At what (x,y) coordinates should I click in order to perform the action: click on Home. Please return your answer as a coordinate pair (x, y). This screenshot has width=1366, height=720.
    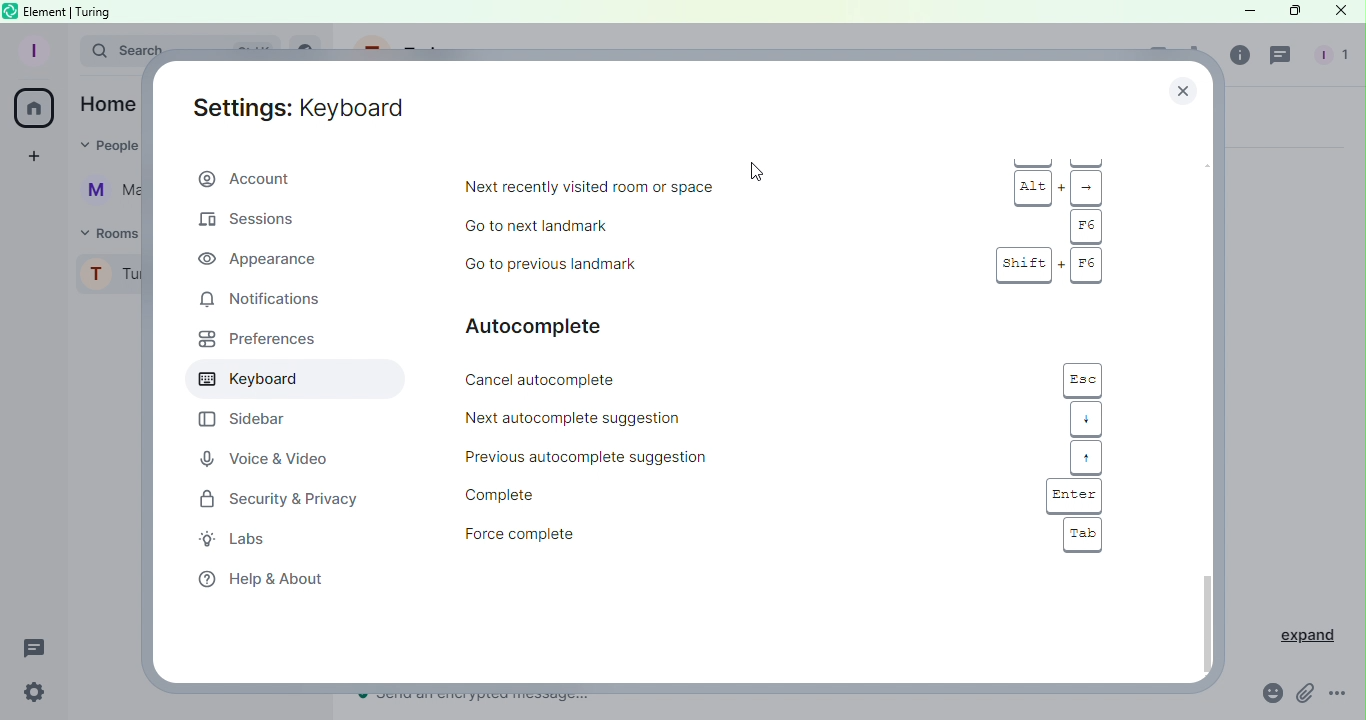
    Looking at the image, I should click on (33, 110).